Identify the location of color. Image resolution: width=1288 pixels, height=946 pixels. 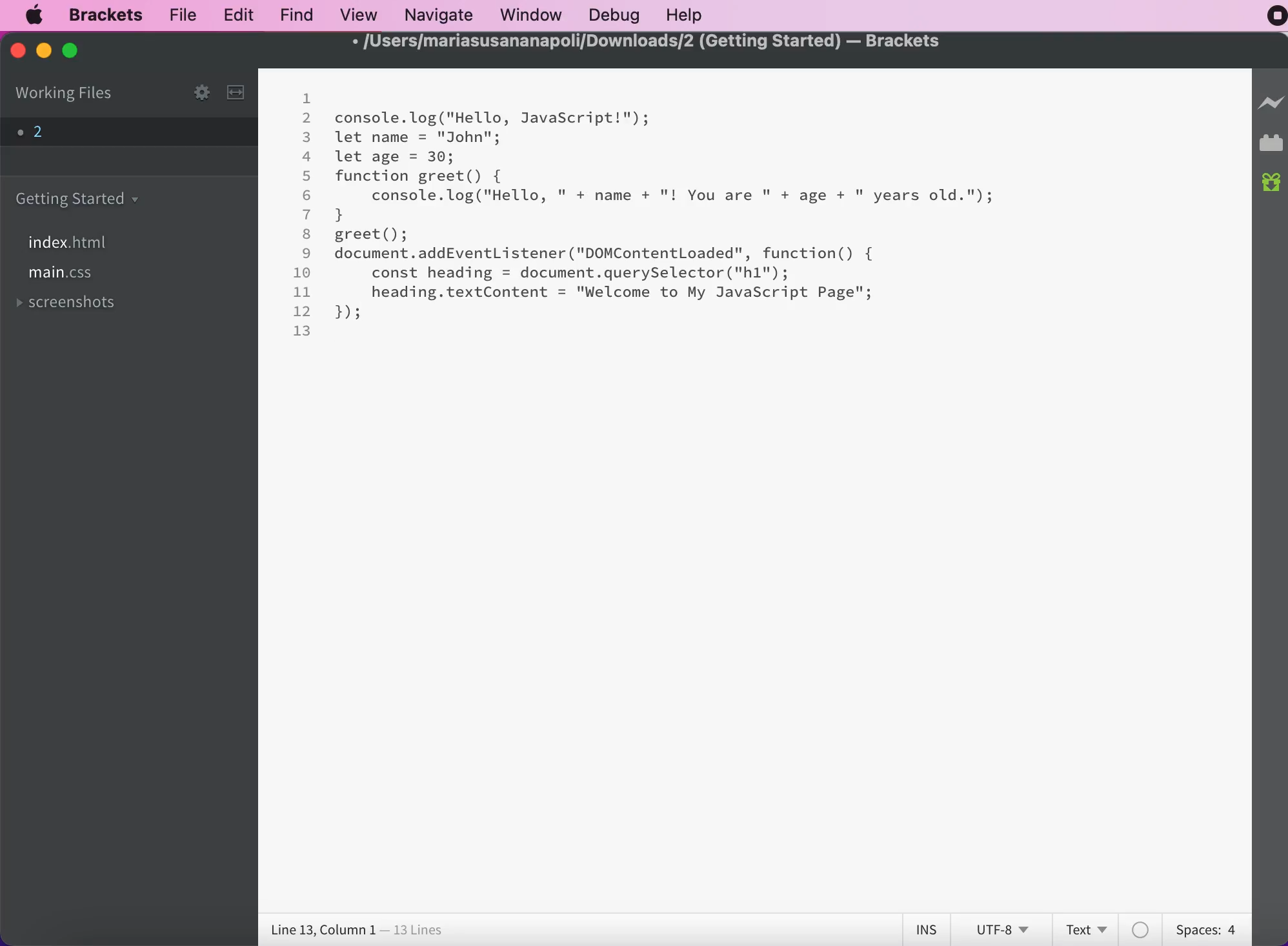
(1143, 929).